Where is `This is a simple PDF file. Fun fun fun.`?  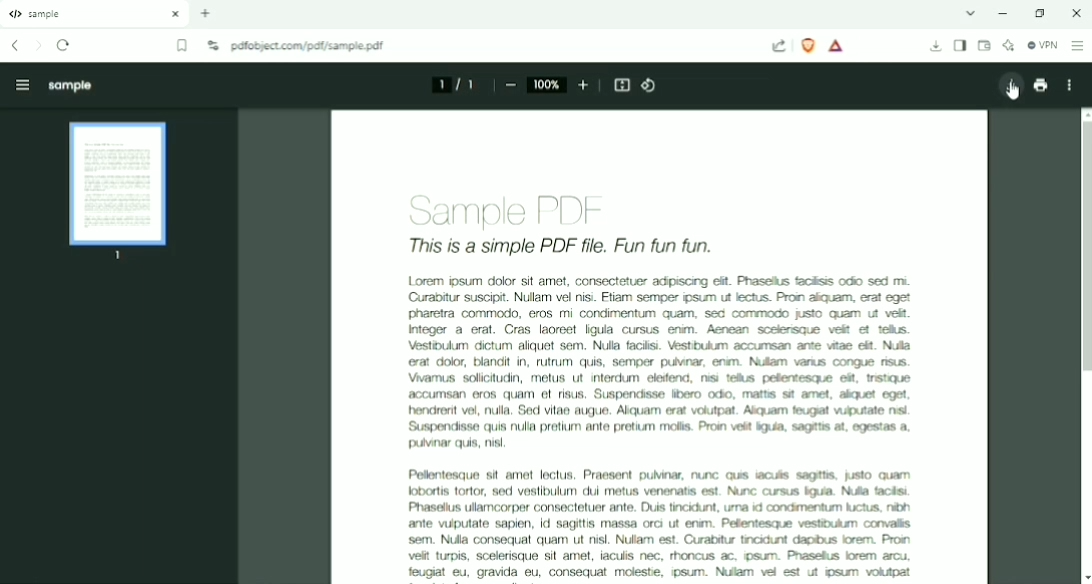 This is a simple PDF file. Fun fun fun. is located at coordinates (561, 246).